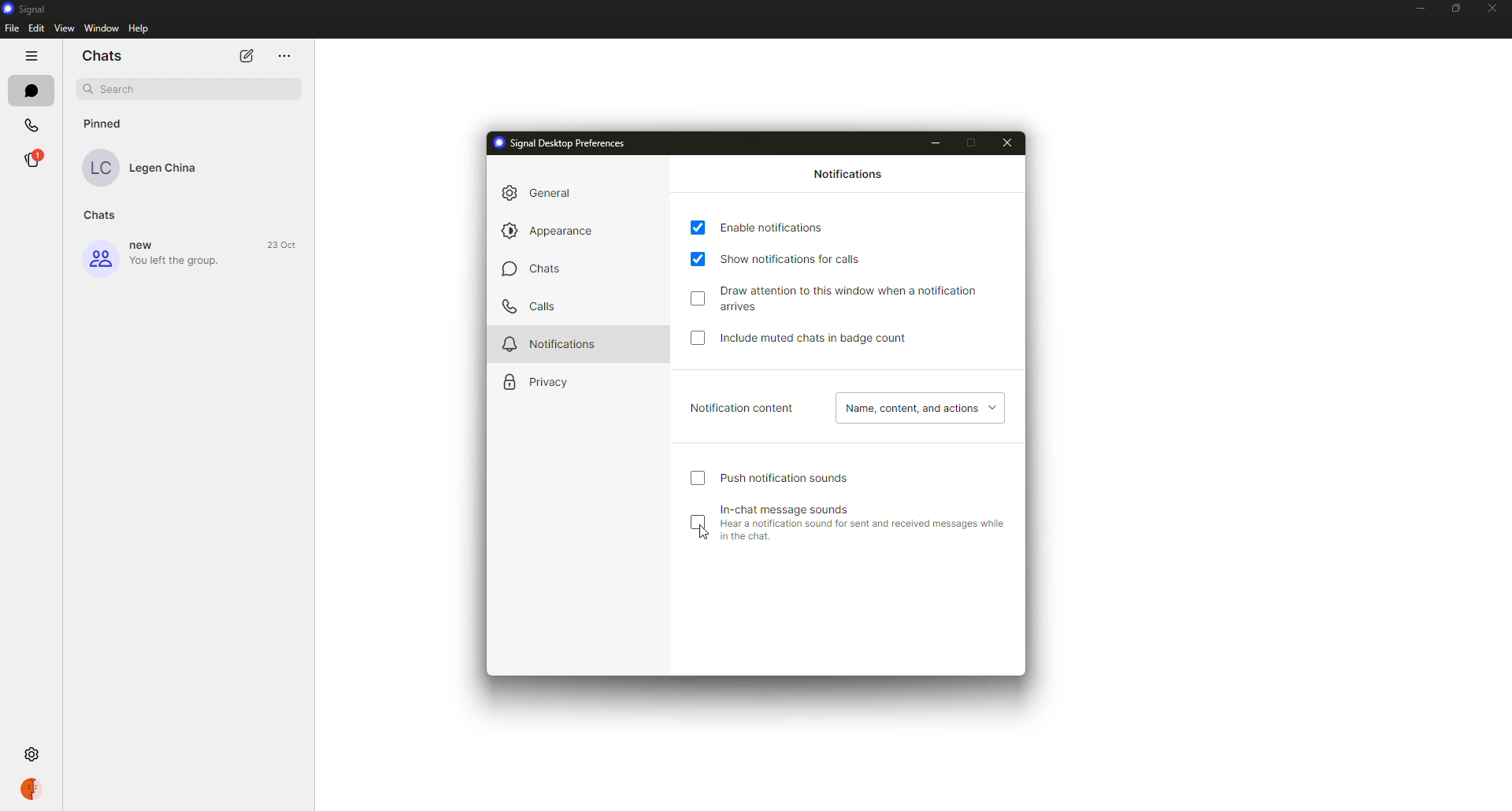 This screenshot has width=1512, height=811. Describe the element at coordinates (924, 409) in the screenshot. I see `name content, and actions` at that location.